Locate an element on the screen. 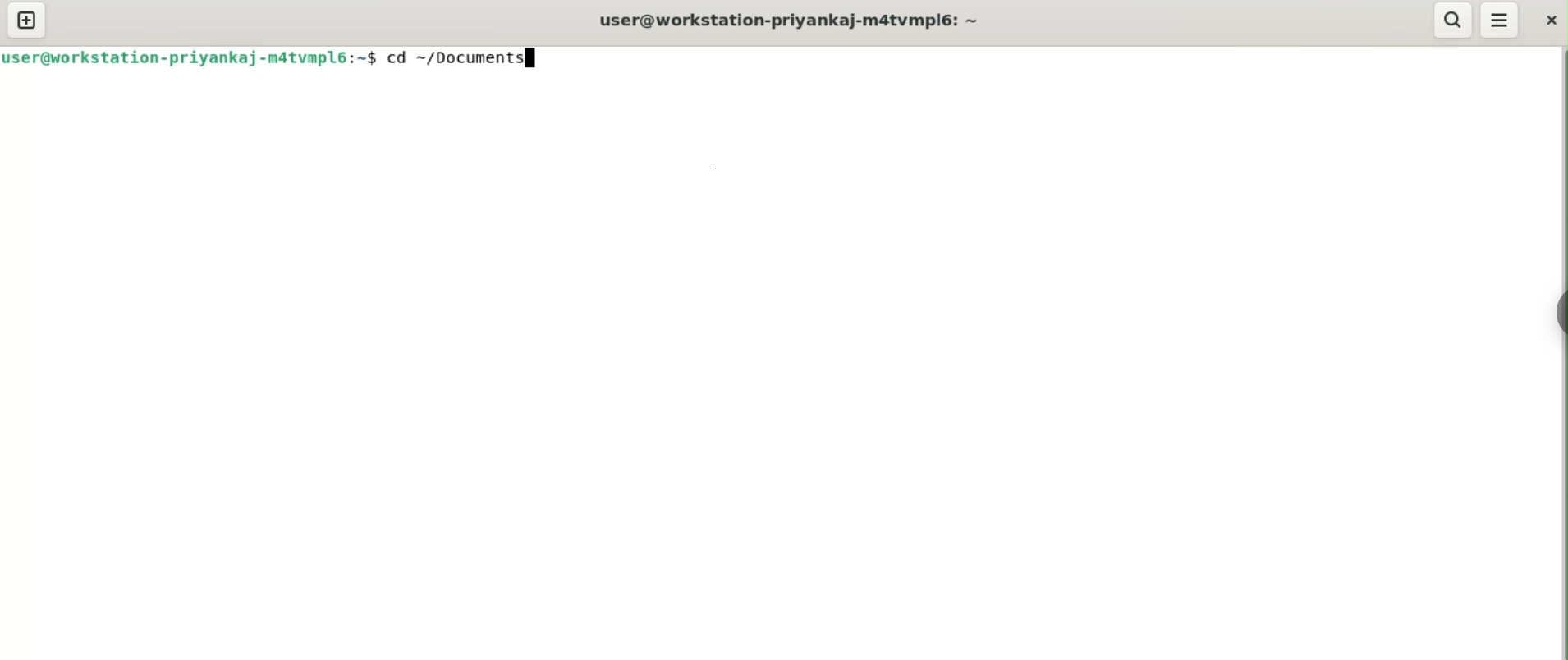 The width and height of the screenshot is (1568, 660). menu is located at coordinates (1501, 20).